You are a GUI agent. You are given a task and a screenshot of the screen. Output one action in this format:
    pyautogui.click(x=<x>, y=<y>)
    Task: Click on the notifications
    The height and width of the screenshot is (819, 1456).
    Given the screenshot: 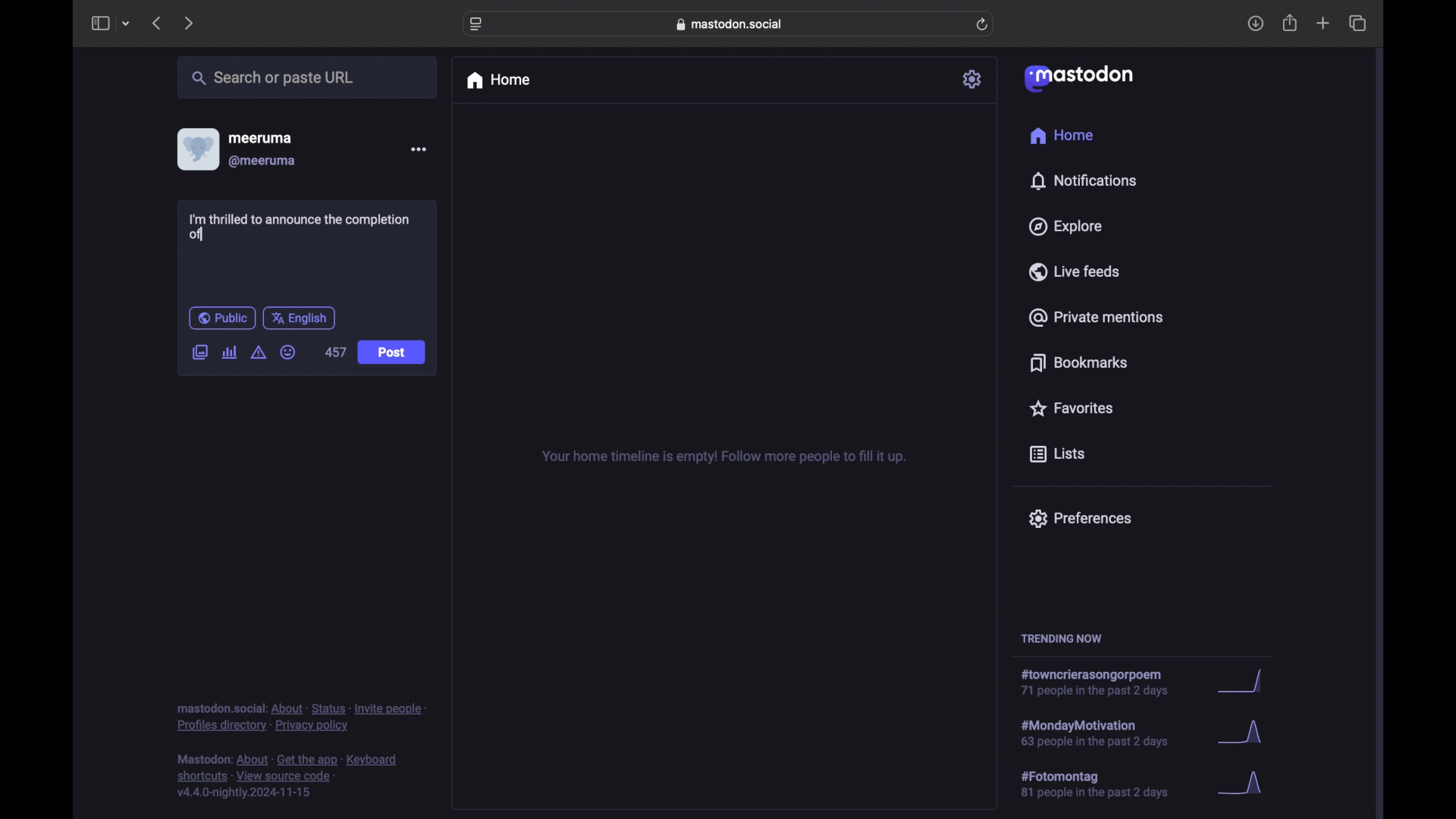 What is the action you would take?
    pyautogui.click(x=1083, y=181)
    